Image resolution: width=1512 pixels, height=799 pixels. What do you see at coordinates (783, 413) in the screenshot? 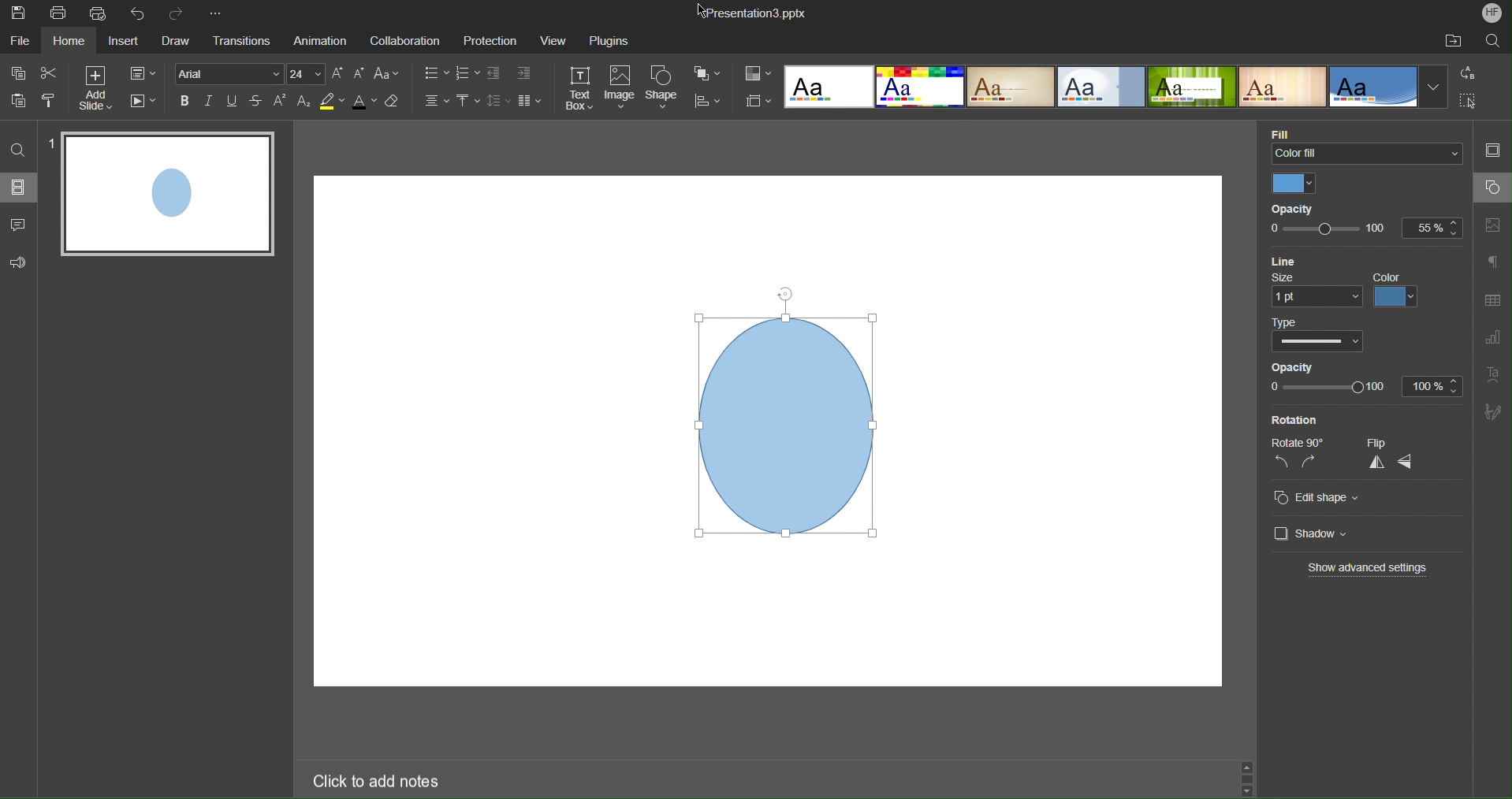
I see `Image` at bounding box center [783, 413].